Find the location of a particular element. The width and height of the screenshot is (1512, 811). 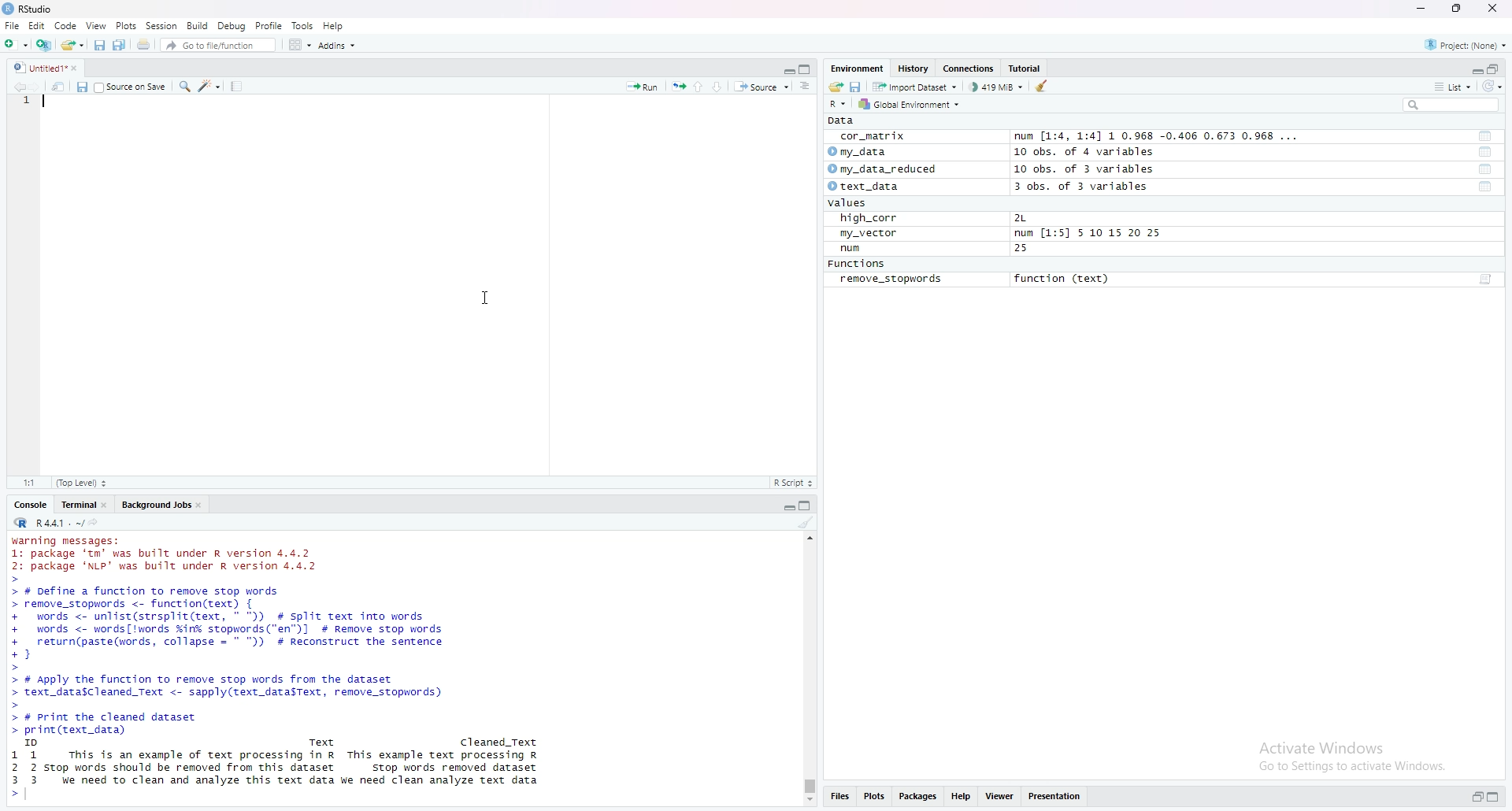

cor_matrix is located at coordinates (874, 137).